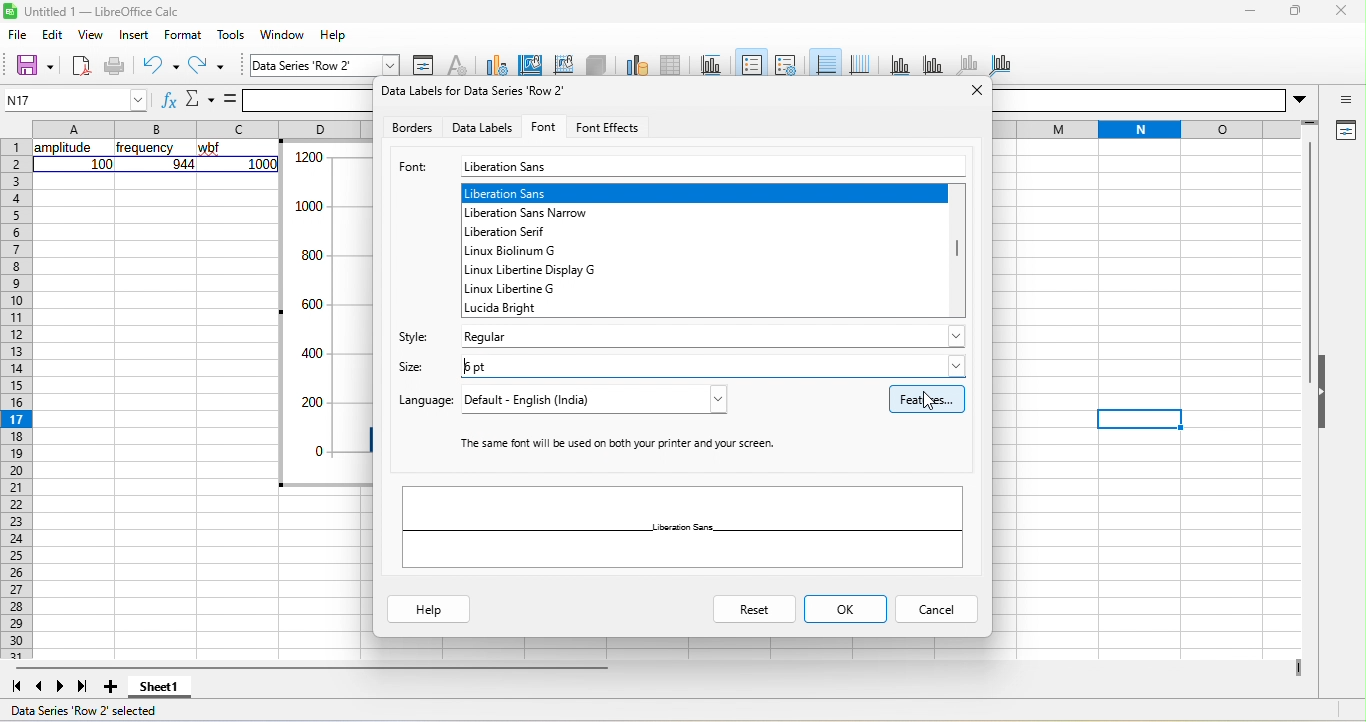  What do you see at coordinates (86, 688) in the screenshot?
I see `last sheet` at bounding box center [86, 688].